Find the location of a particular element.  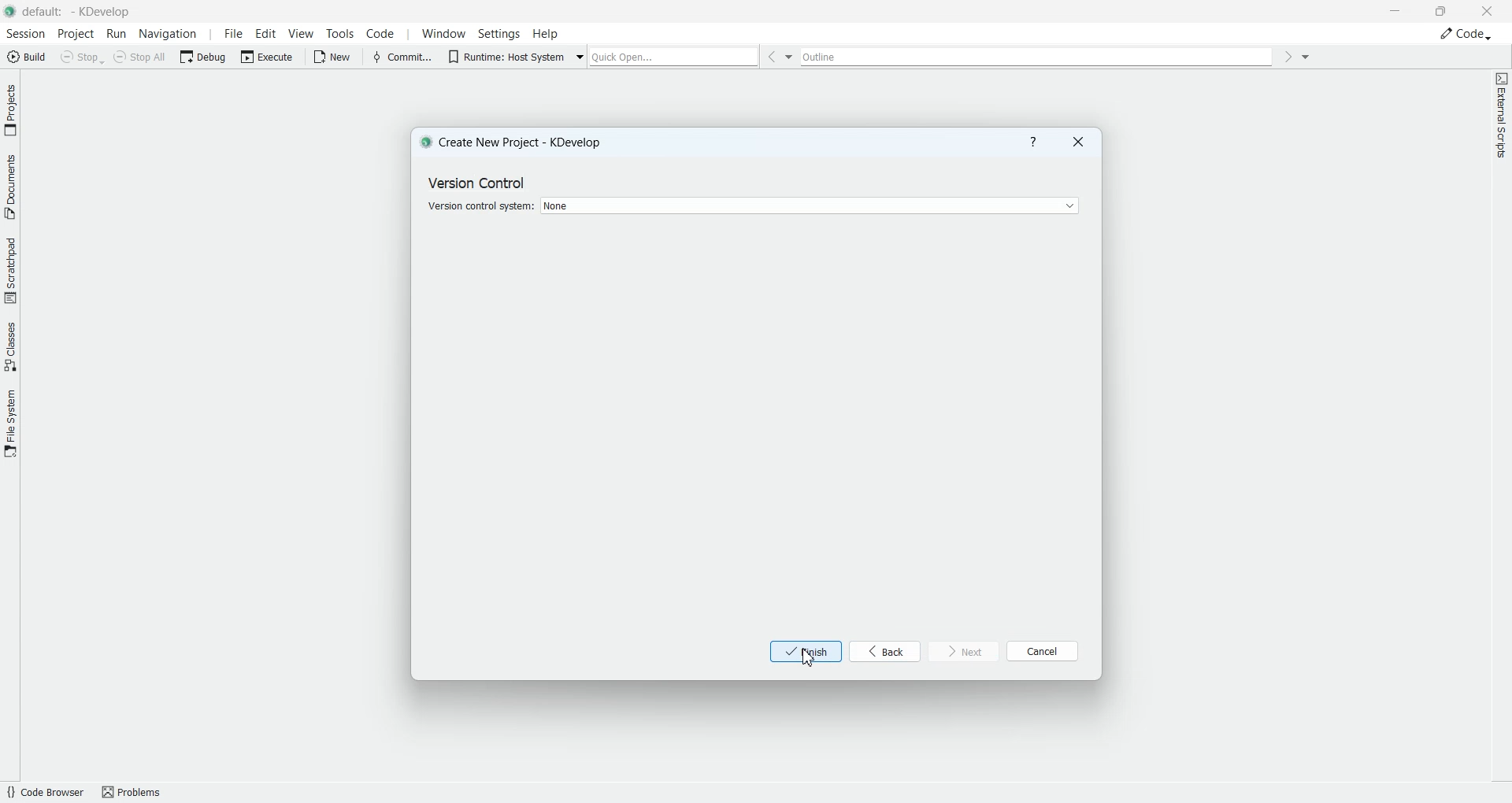

Run is located at coordinates (118, 35).